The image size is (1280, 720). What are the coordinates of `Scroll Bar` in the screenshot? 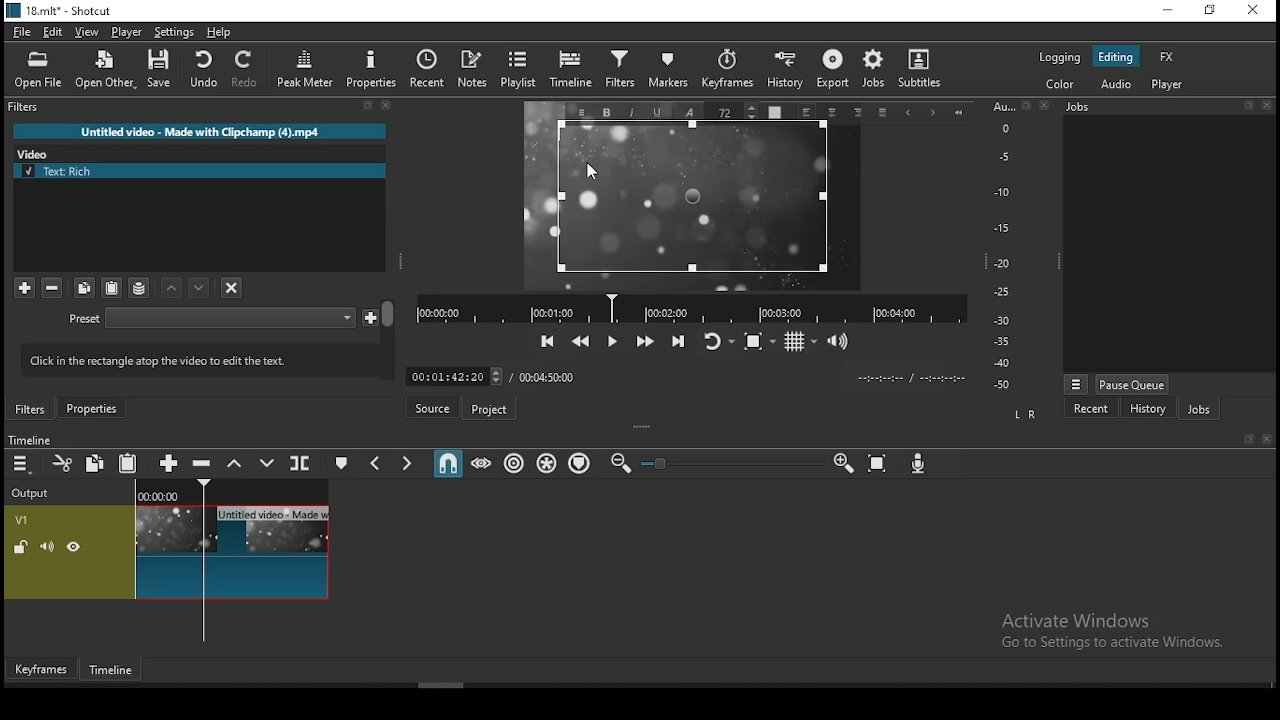 It's located at (389, 339).